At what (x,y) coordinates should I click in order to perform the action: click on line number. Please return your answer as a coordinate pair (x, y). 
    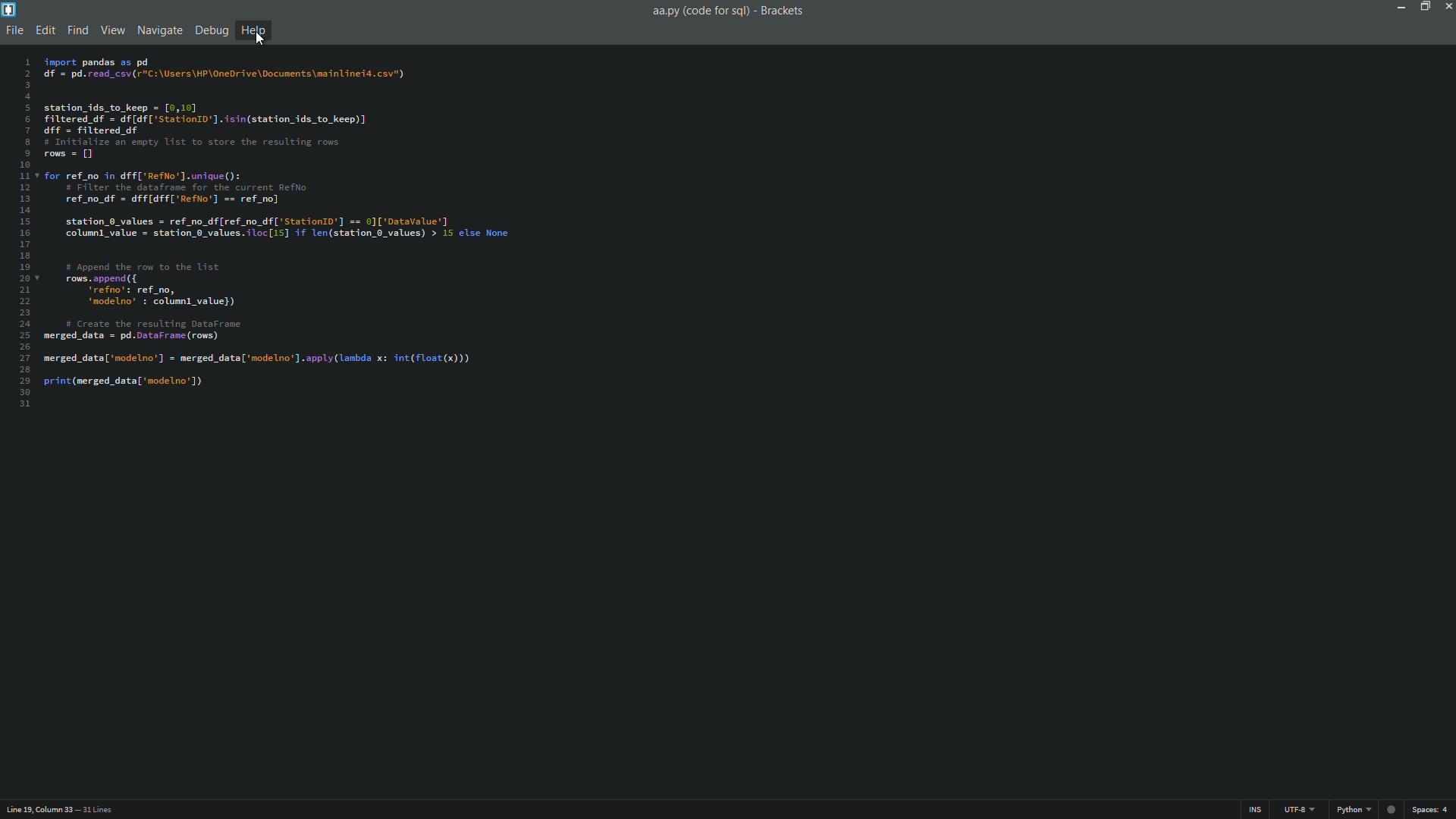
    Looking at the image, I should click on (24, 234).